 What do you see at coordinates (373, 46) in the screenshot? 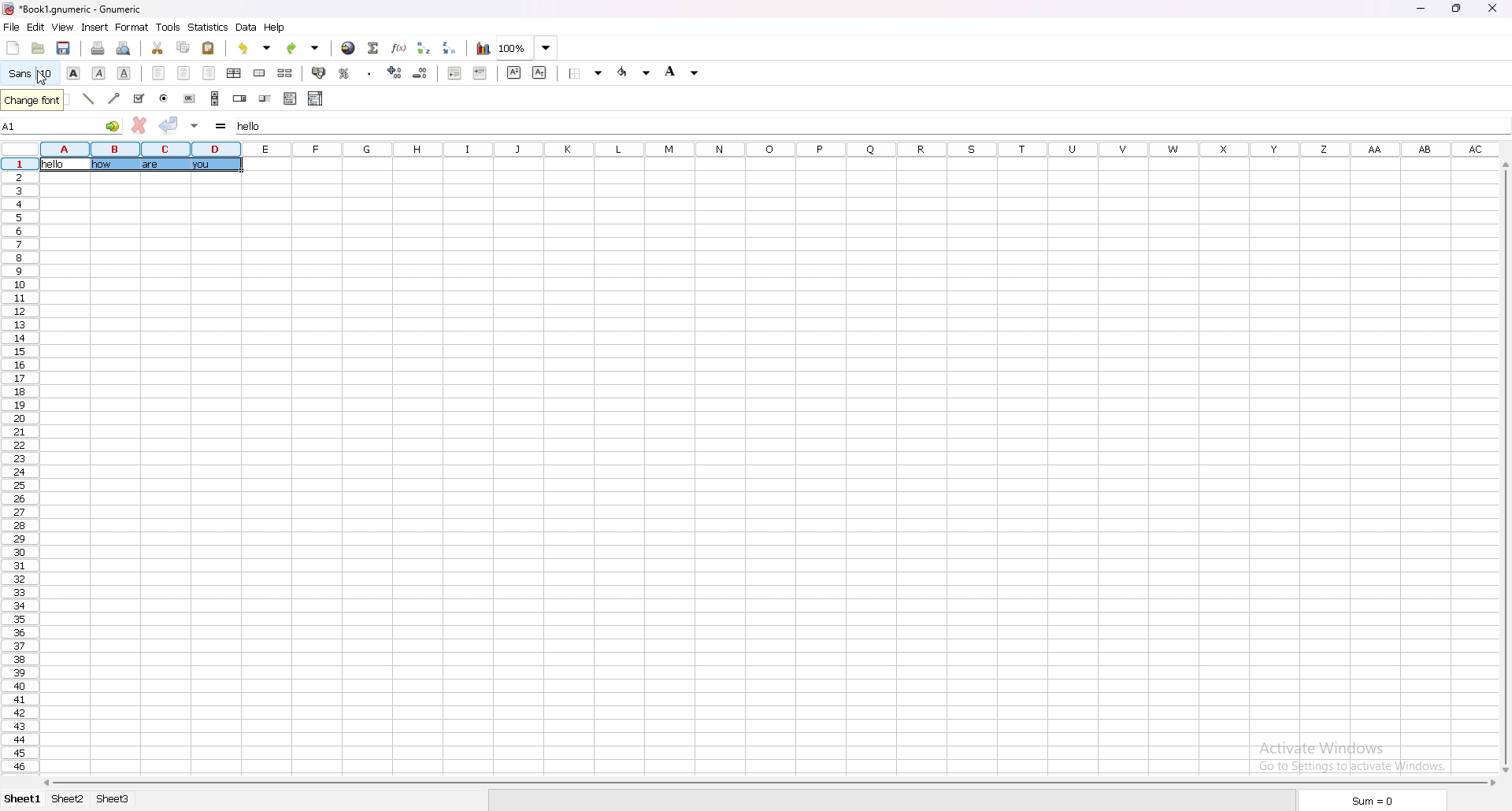
I see `summation` at bounding box center [373, 46].